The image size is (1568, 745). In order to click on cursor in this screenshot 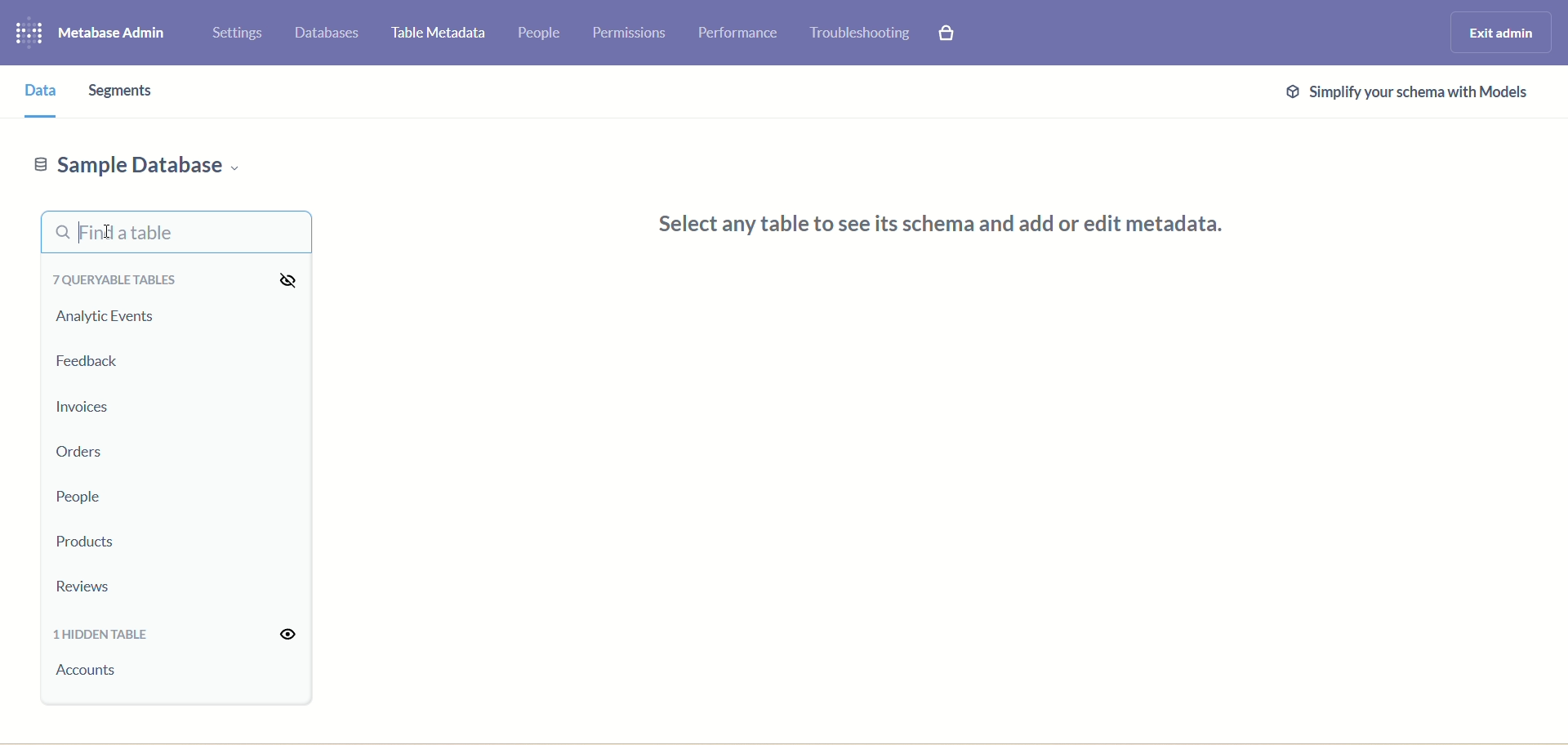, I will do `click(111, 230)`.